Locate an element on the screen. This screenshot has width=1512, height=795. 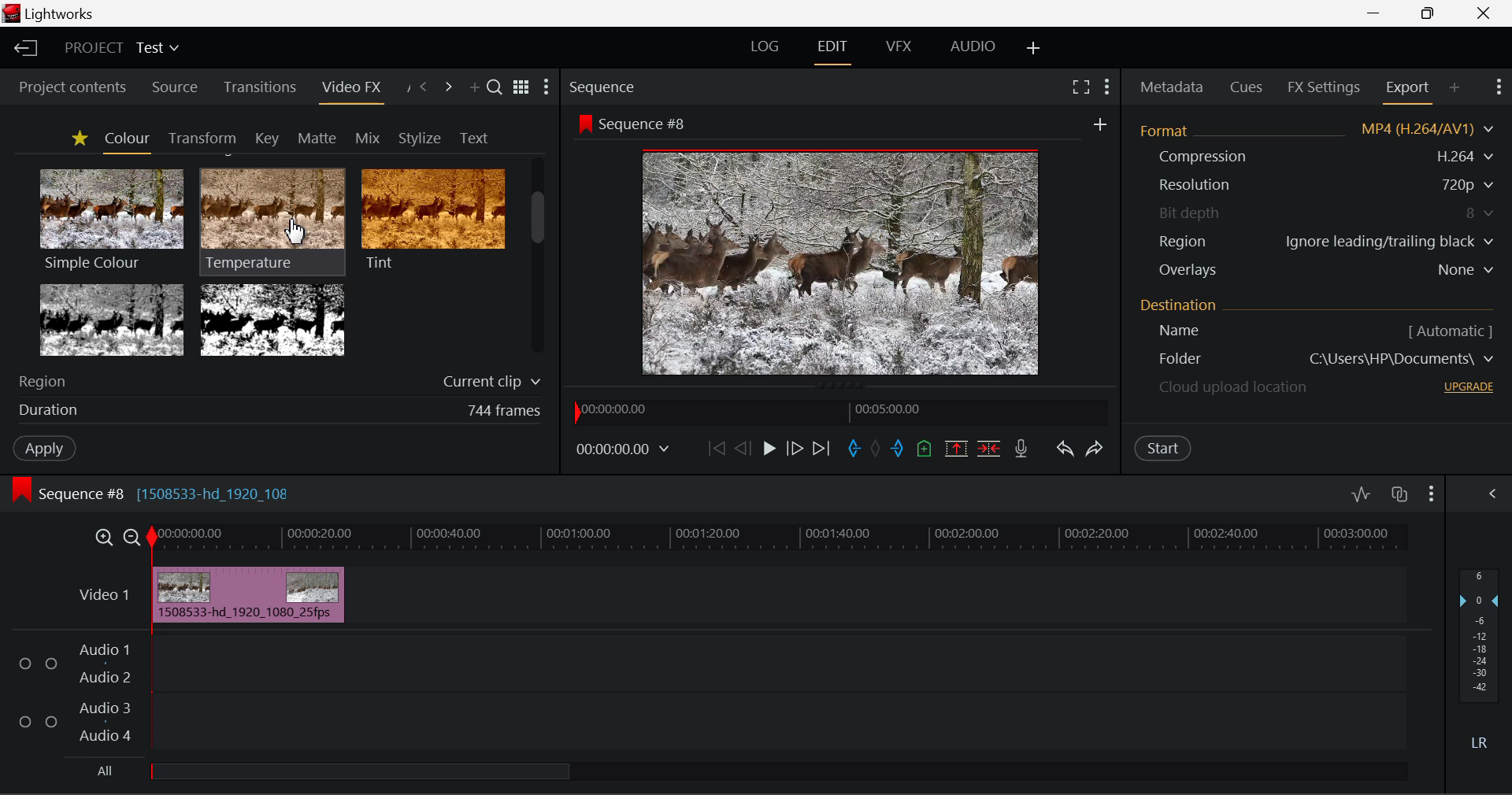
Undo is located at coordinates (1063, 448).